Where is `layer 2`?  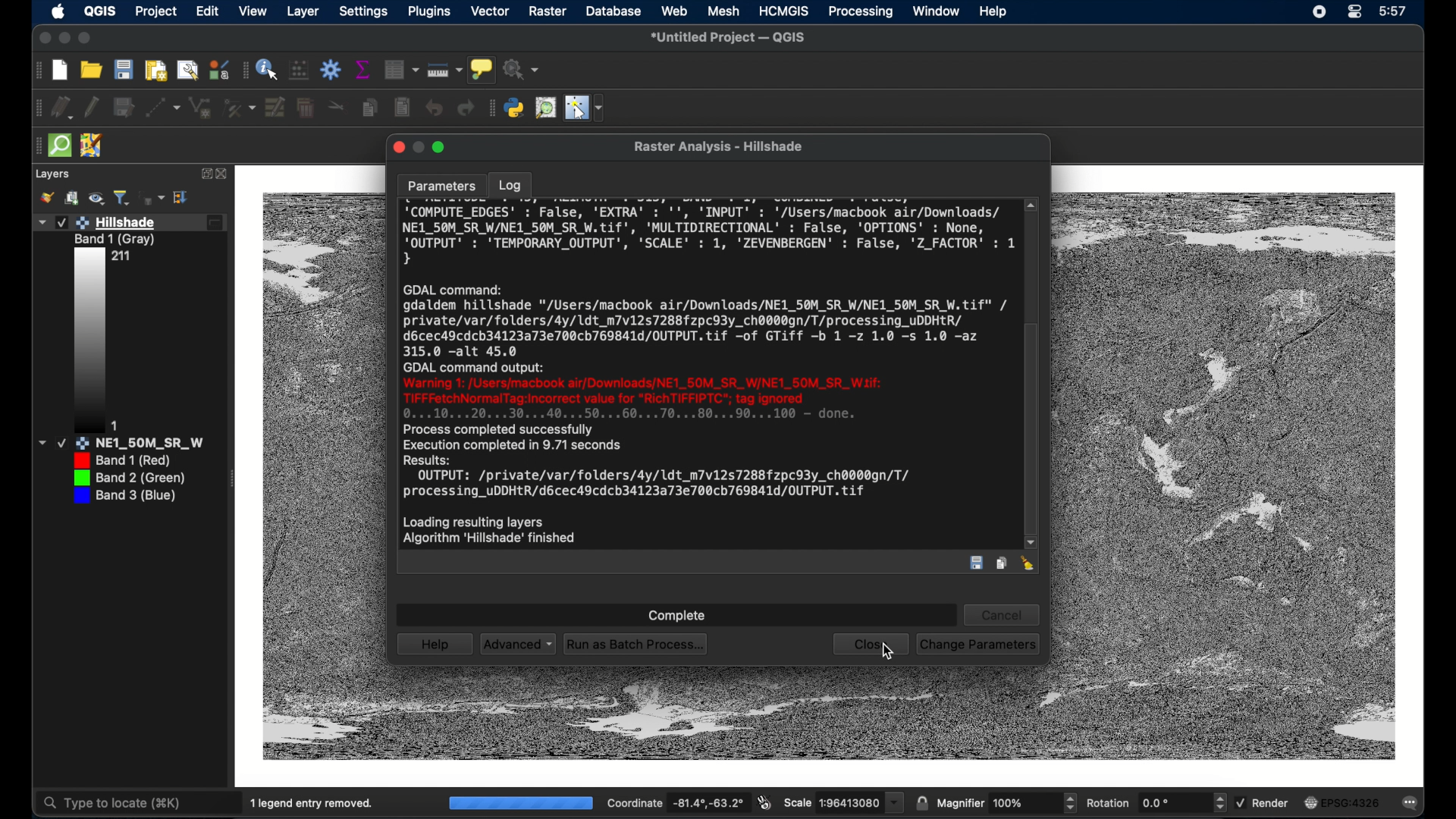 layer 2 is located at coordinates (130, 479).